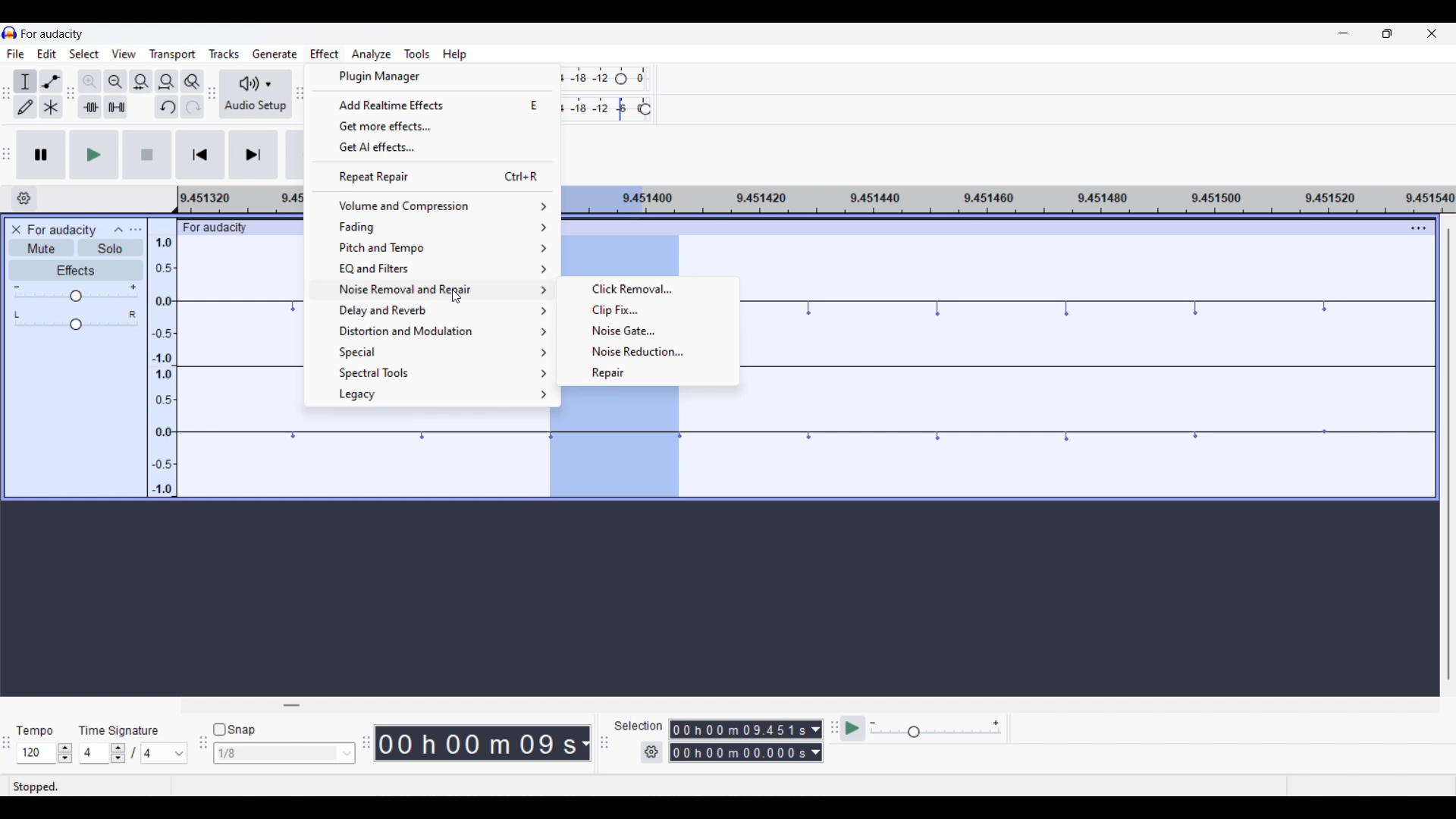 The height and width of the screenshot is (819, 1456). I want to click on Tools menu, so click(417, 54).